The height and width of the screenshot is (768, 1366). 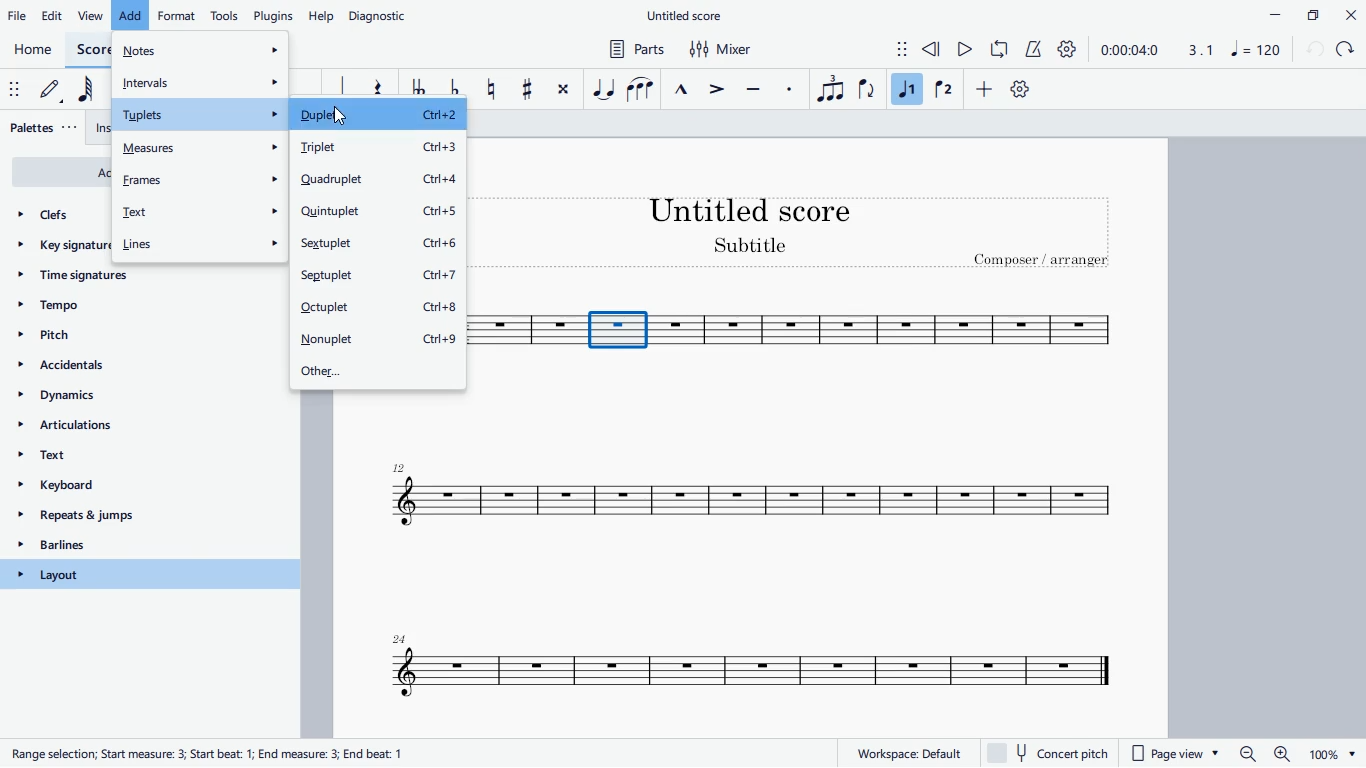 I want to click on other, so click(x=378, y=370).